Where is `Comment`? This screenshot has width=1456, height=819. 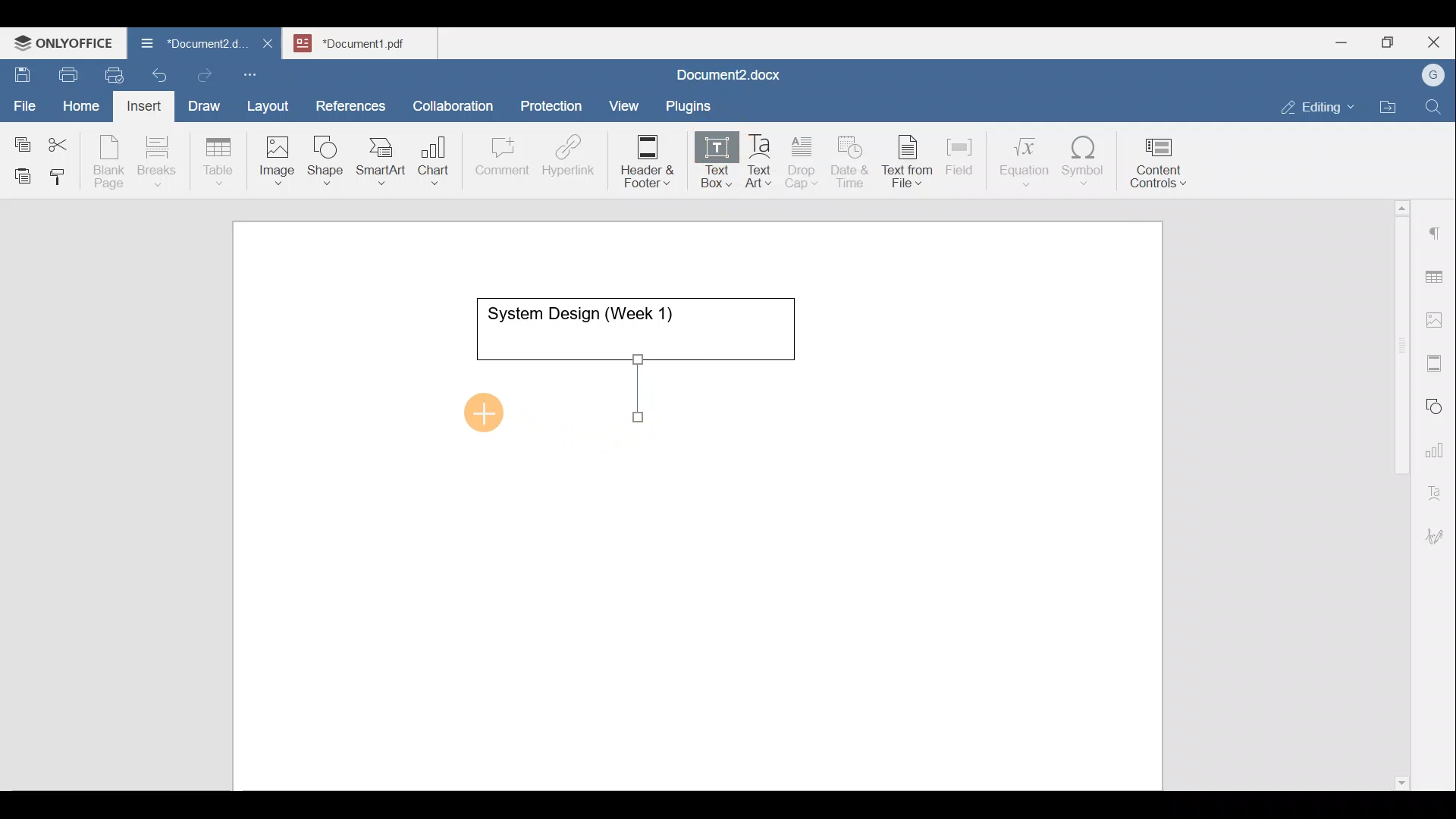
Comment is located at coordinates (497, 160).